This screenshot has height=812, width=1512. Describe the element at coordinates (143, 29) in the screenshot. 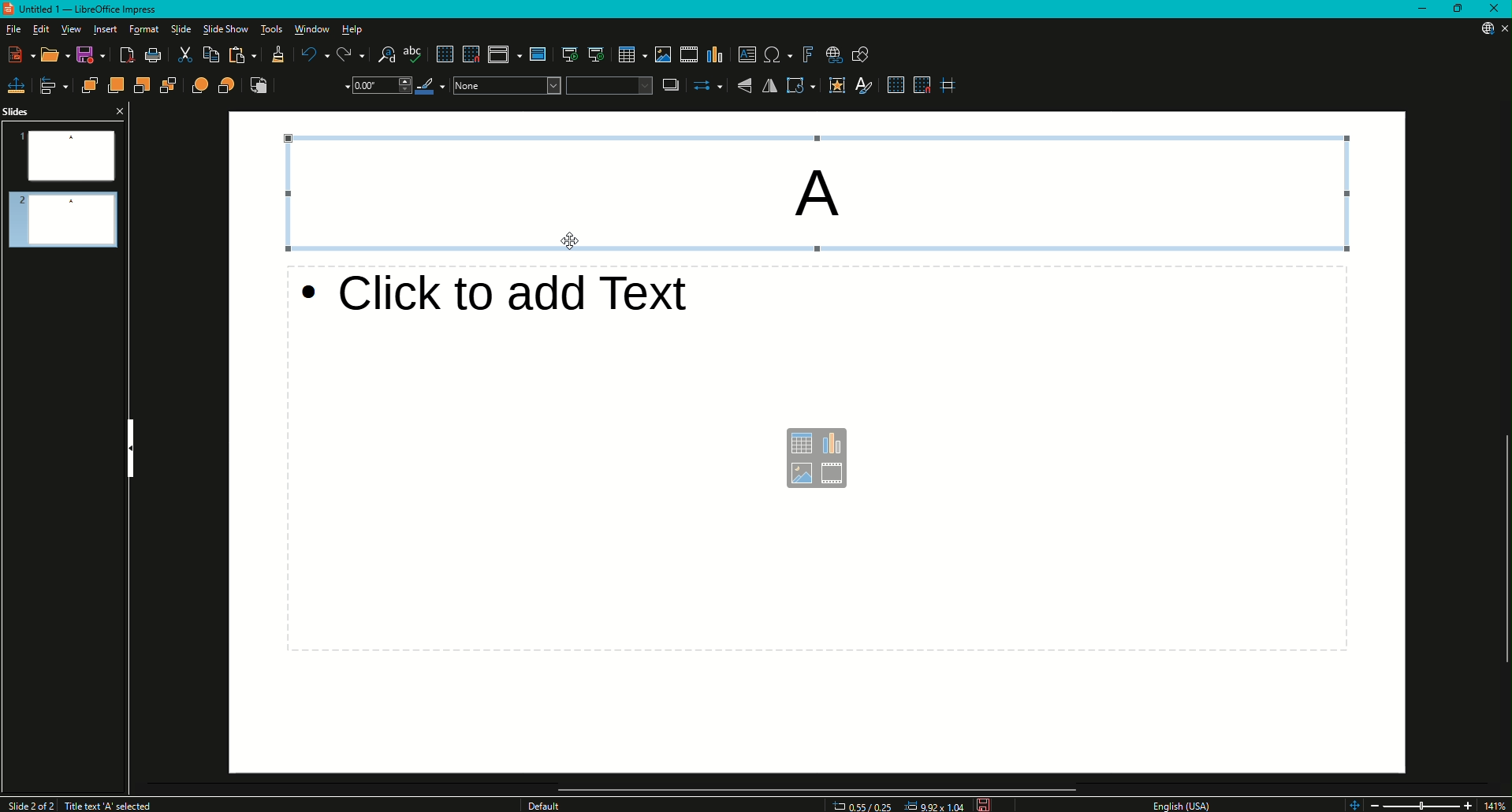

I see `Format` at that location.